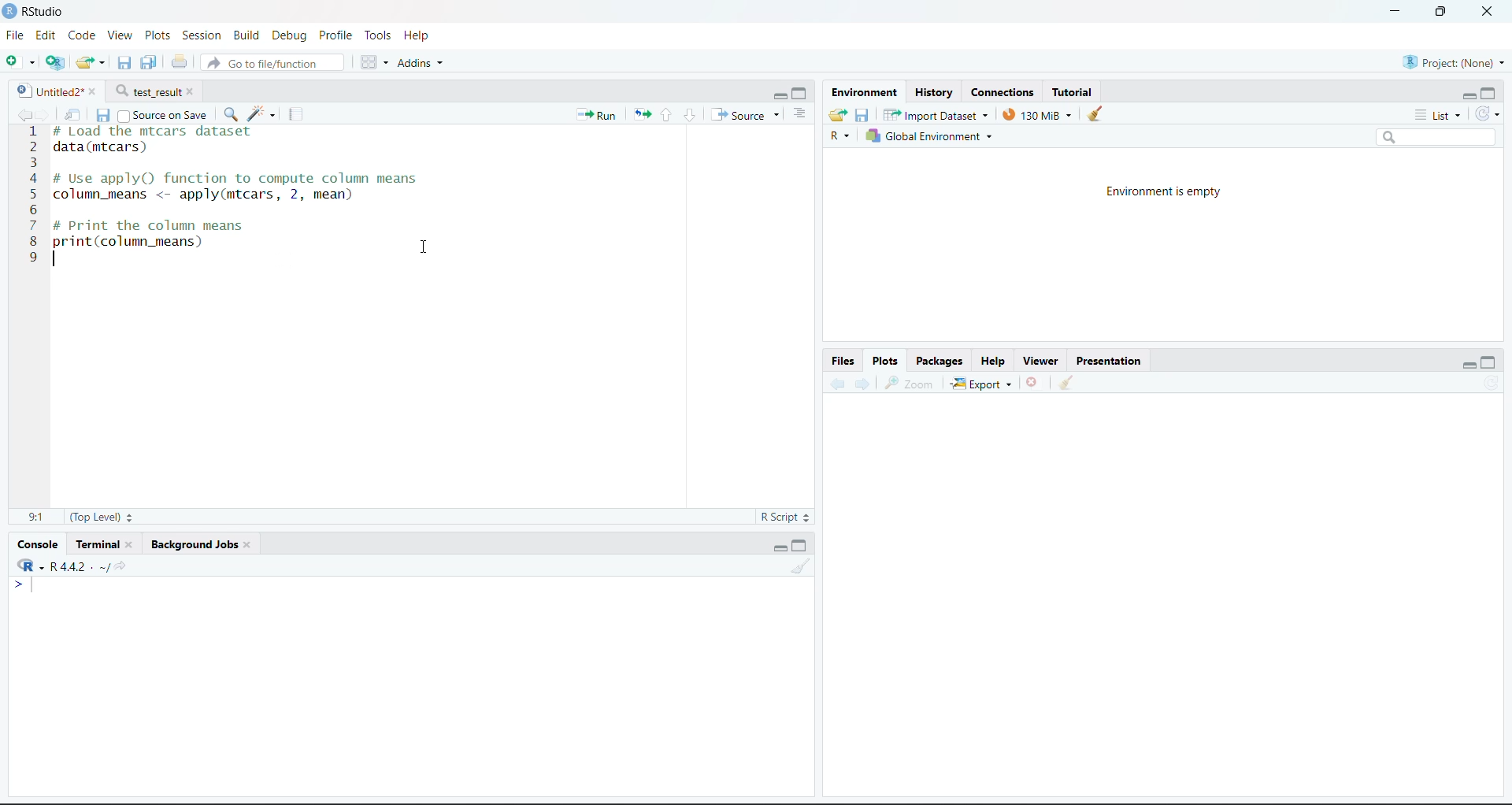  Describe the element at coordinates (203, 540) in the screenshot. I see `Background Jobs` at that location.